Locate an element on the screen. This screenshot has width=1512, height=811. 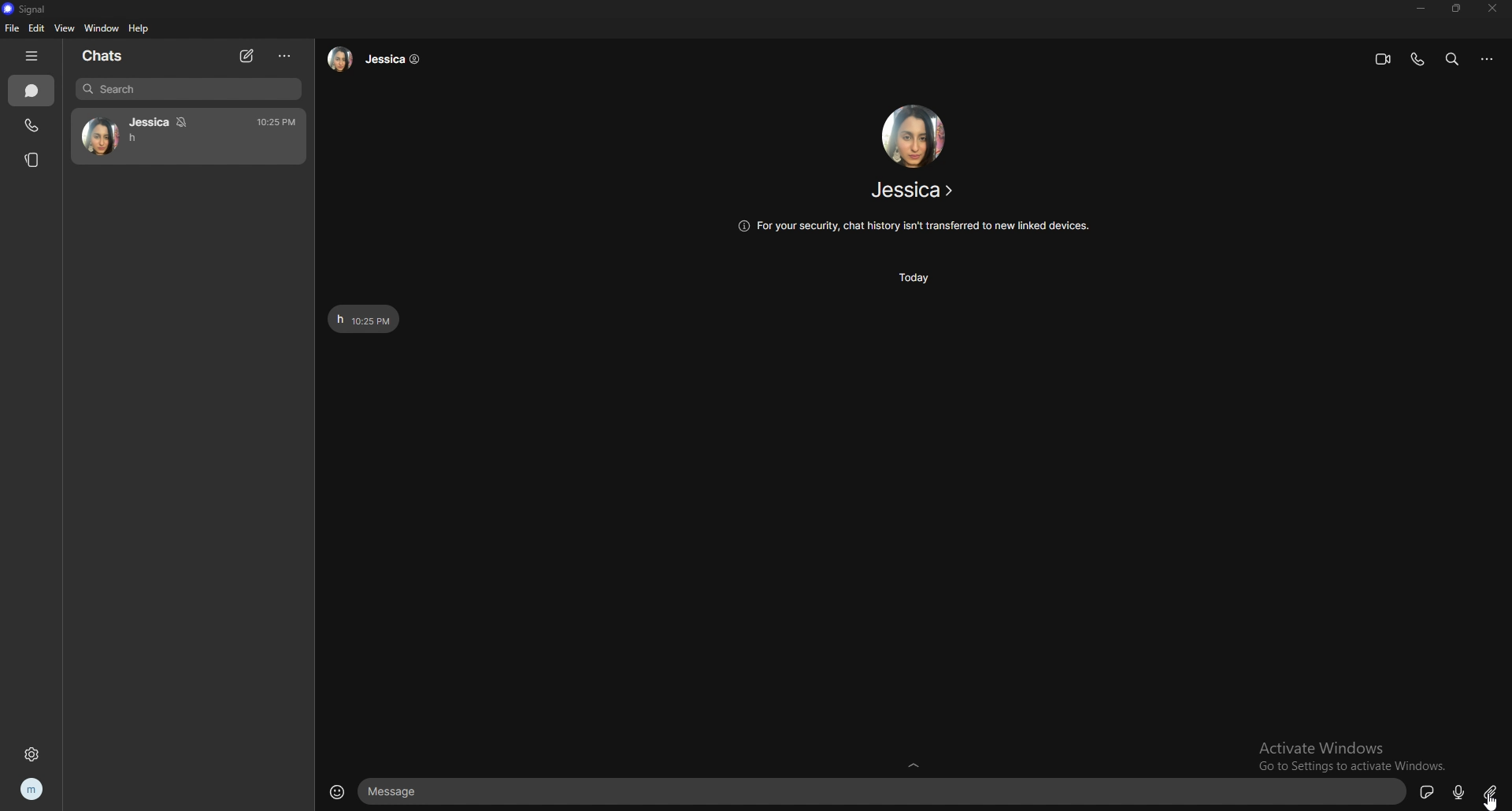
time is located at coordinates (919, 277).